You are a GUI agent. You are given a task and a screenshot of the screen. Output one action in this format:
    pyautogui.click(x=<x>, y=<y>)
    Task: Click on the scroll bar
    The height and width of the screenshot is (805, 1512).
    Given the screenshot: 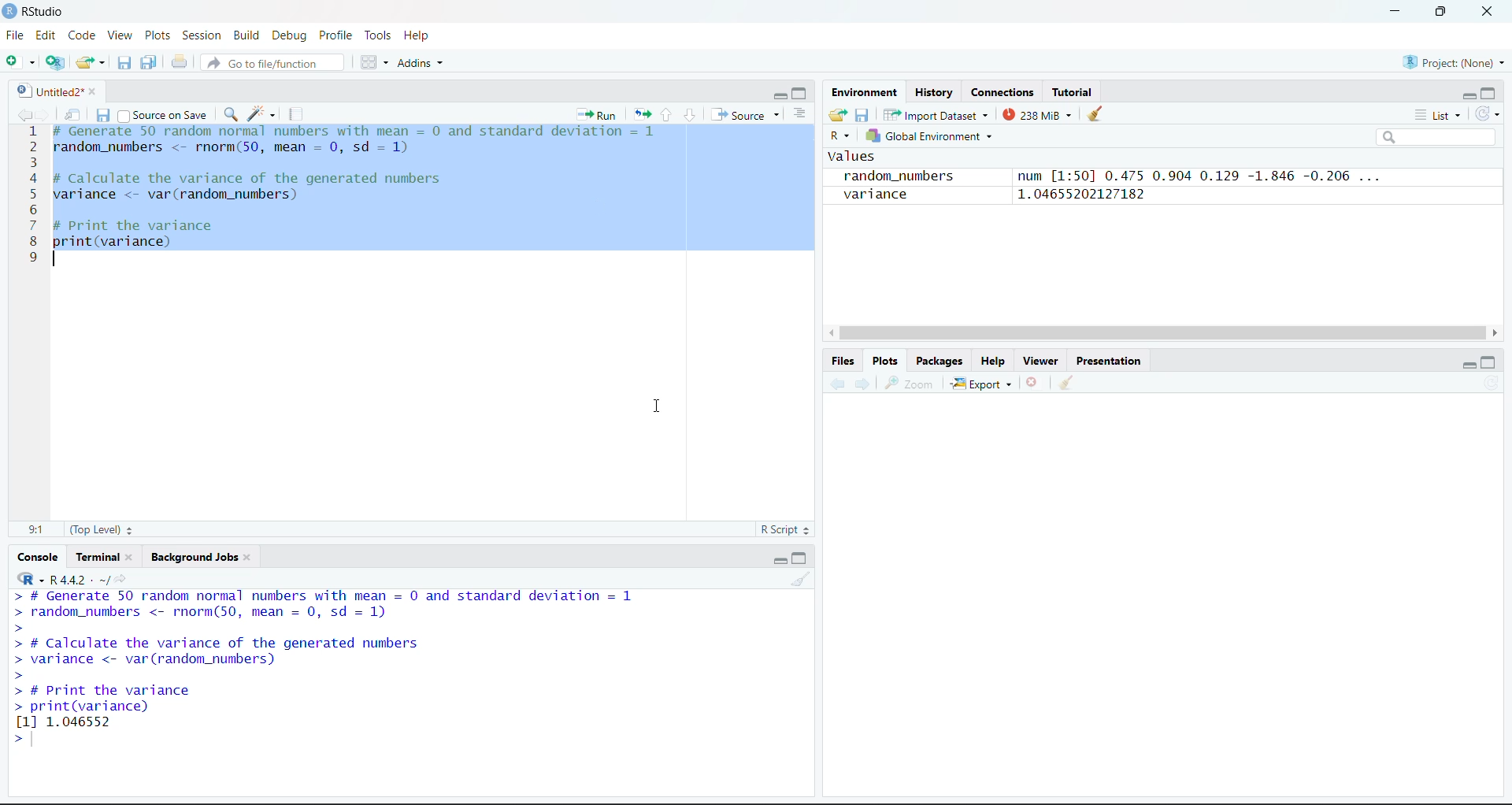 What is the action you would take?
    pyautogui.click(x=1162, y=332)
    